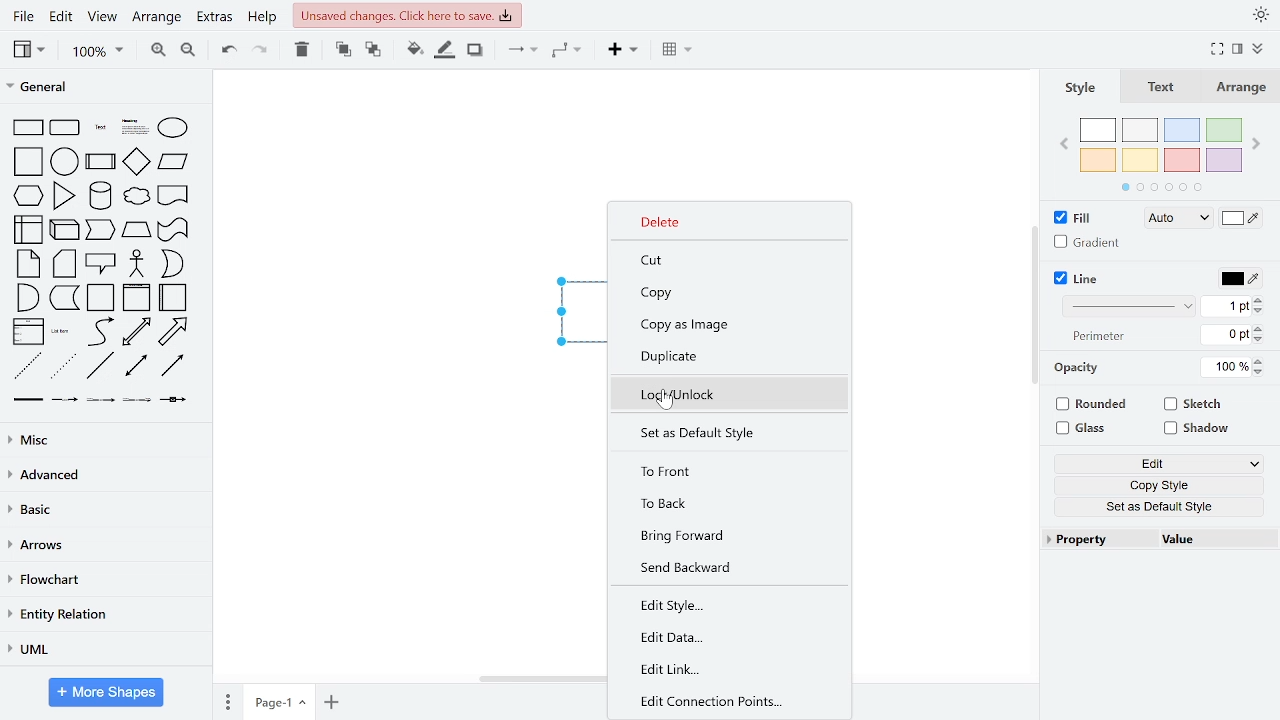 The image size is (1280, 720). I want to click on connector with 2 label, so click(101, 399).